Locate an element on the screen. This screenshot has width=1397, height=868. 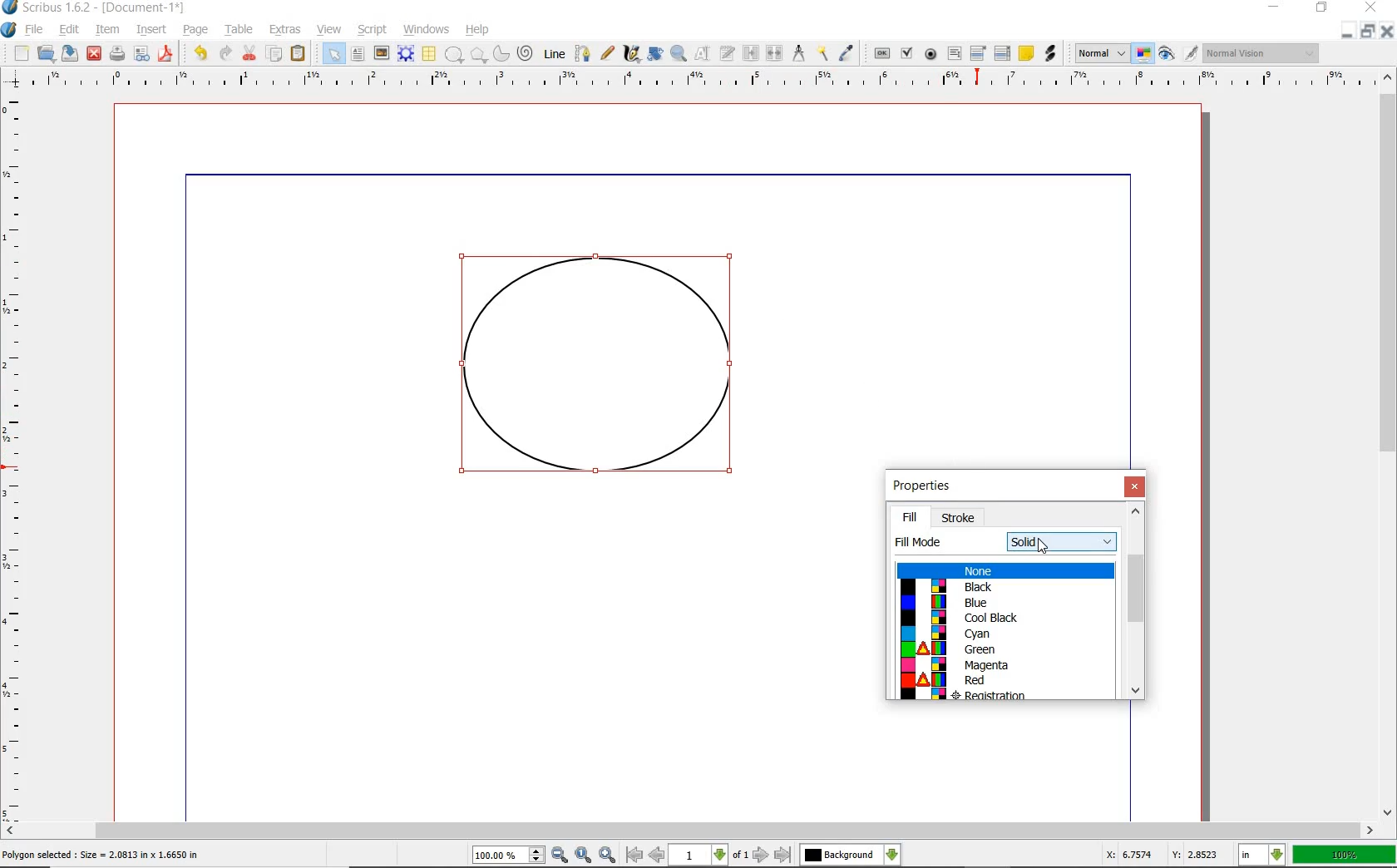
SAVE AS PDF is located at coordinates (167, 55).